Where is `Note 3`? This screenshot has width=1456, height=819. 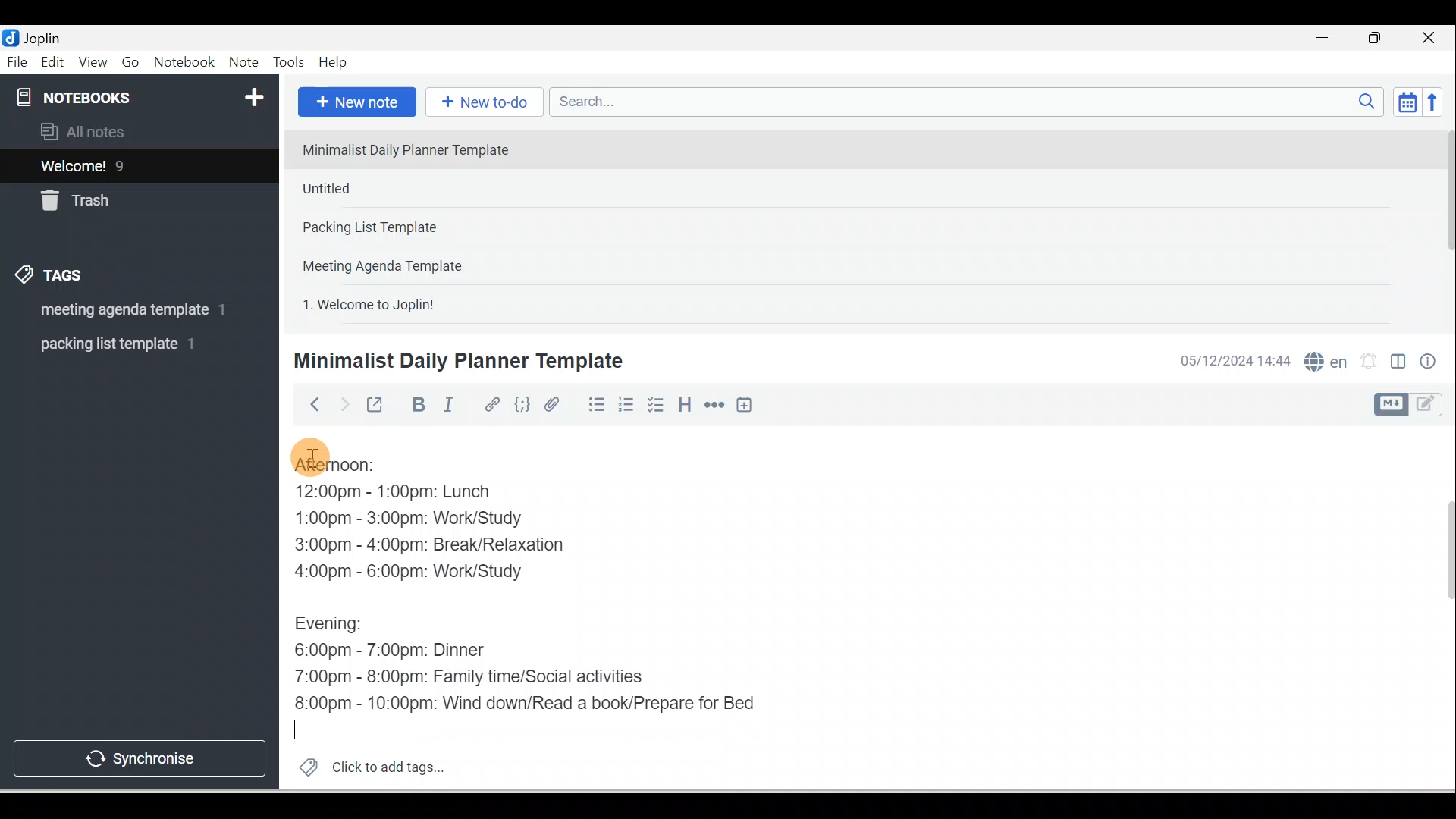 Note 3 is located at coordinates (418, 228).